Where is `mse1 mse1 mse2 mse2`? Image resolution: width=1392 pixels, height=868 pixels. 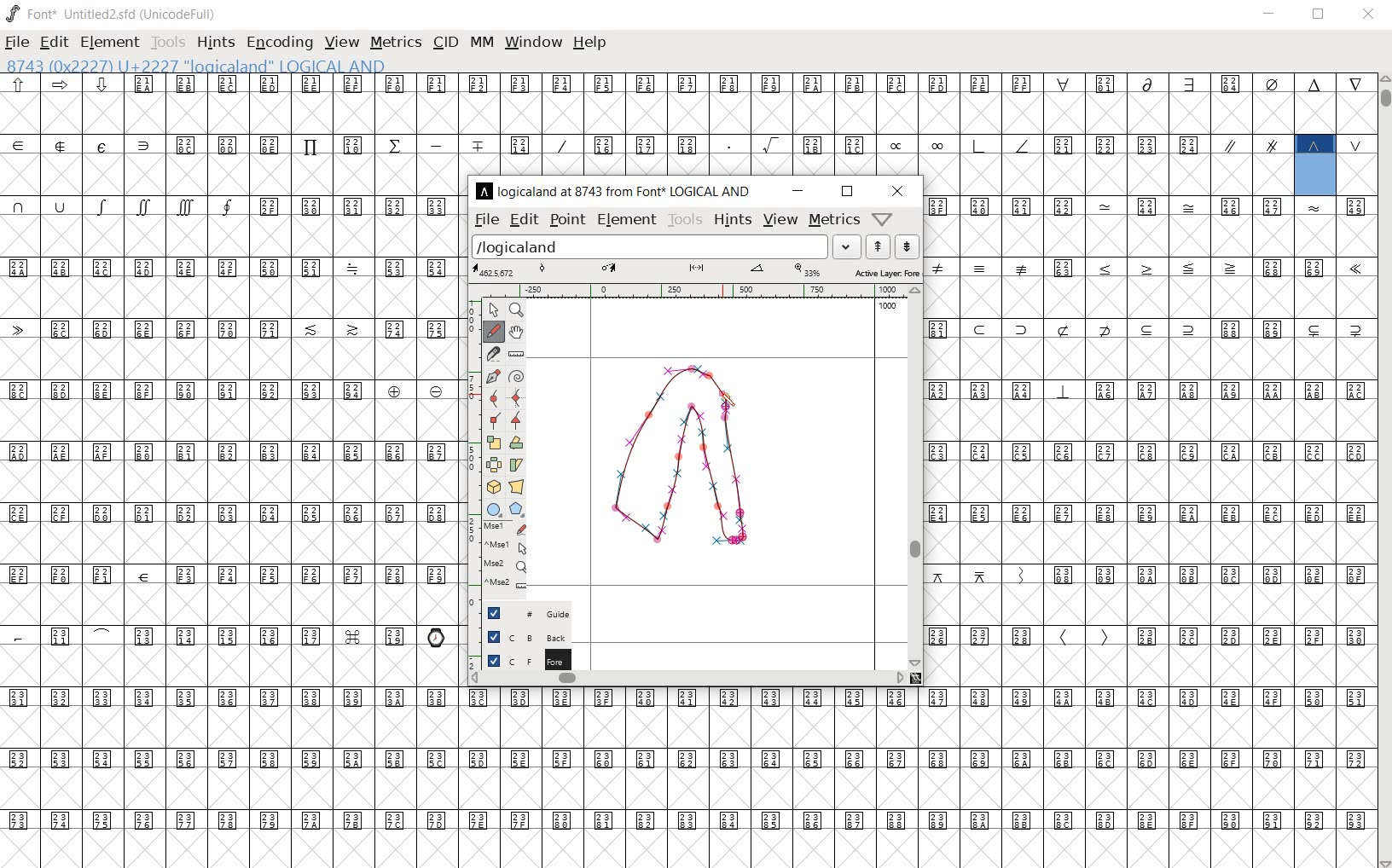
mse1 mse1 mse2 mse2 is located at coordinates (504, 557).